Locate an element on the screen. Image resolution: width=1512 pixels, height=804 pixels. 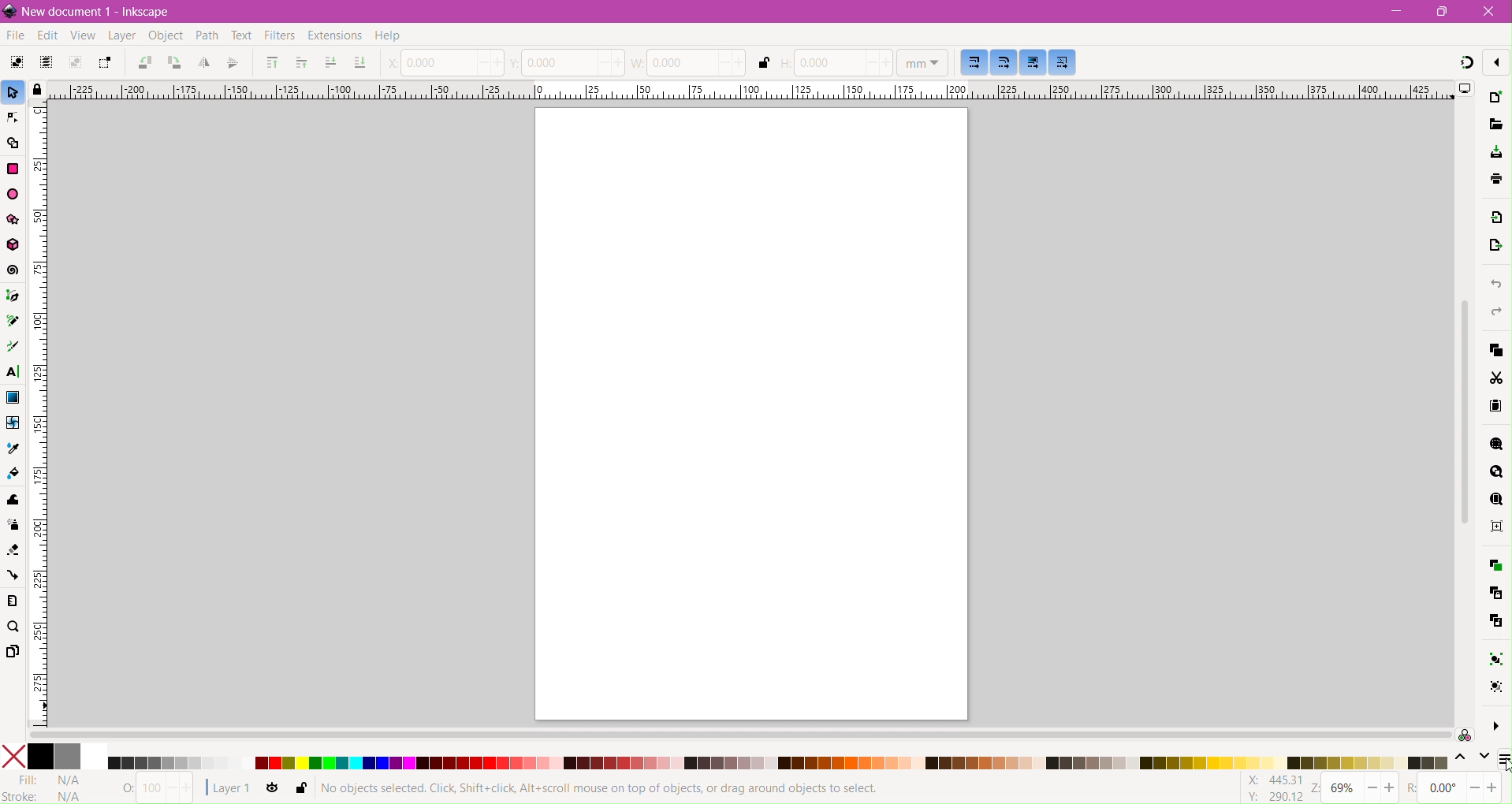
Object Flip Vertical is located at coordinates (233, 63).